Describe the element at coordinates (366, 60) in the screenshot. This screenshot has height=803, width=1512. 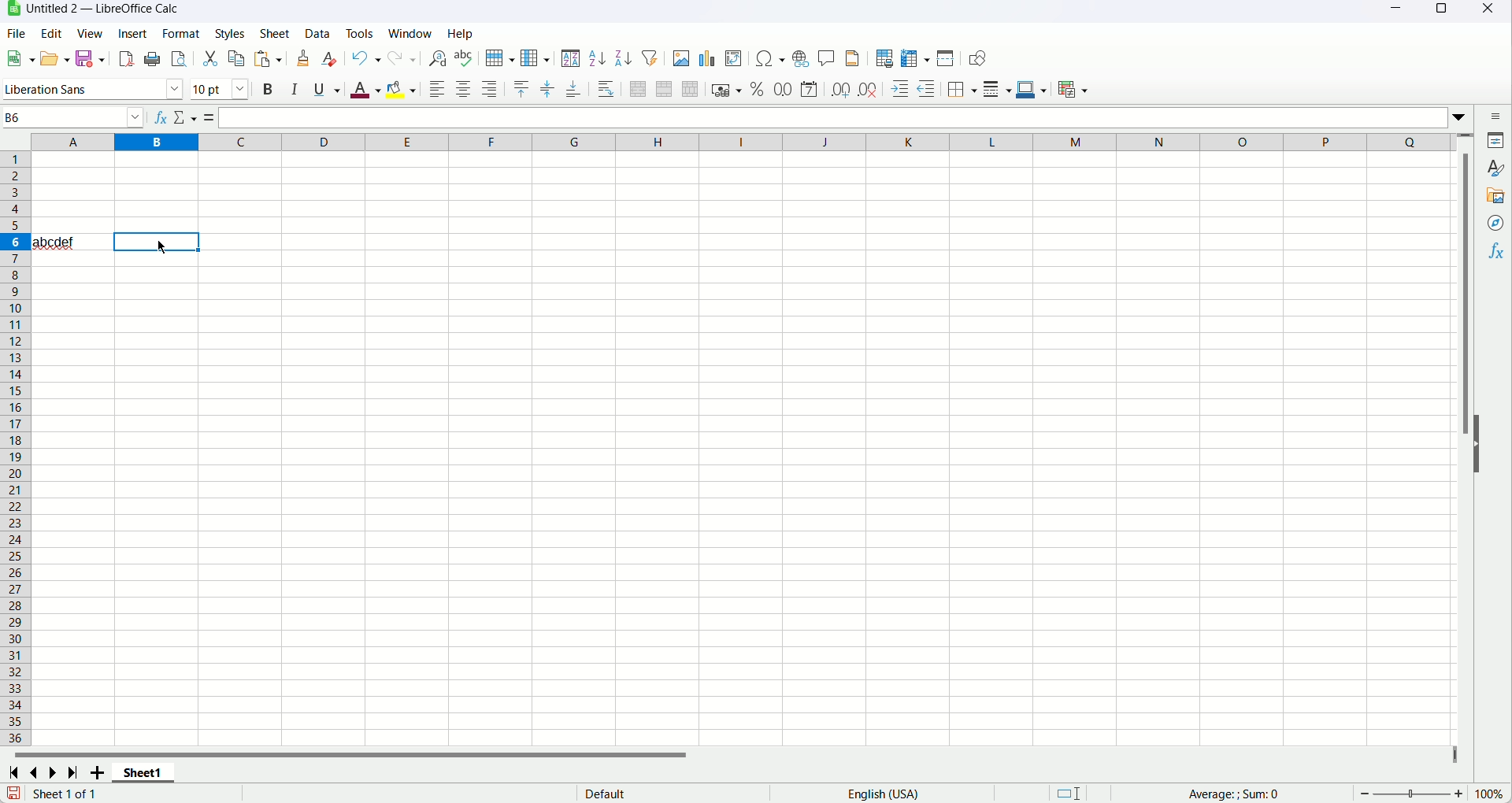
I see `undo` at that location.